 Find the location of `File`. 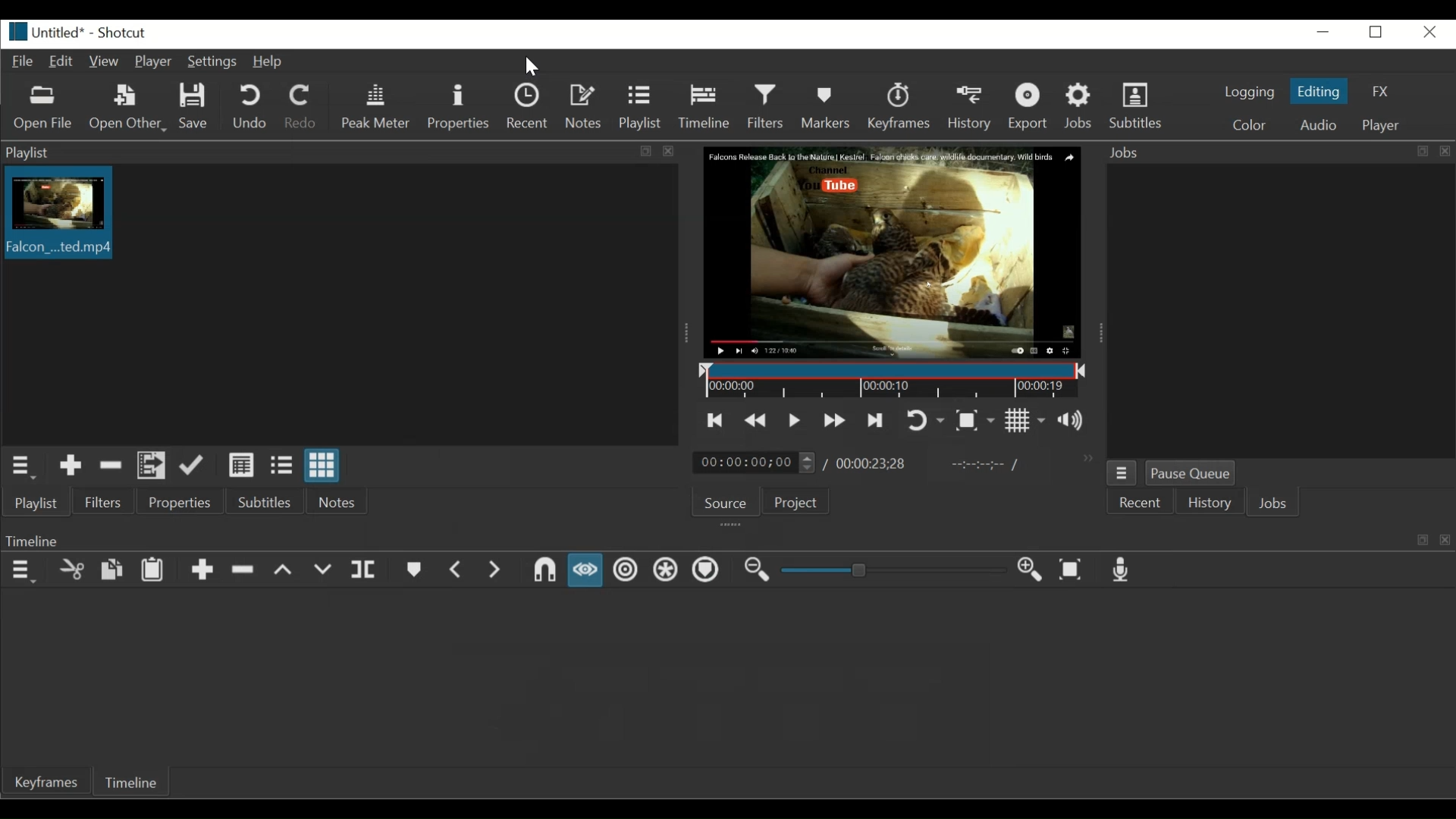

File is located at coordinates (21, 63).